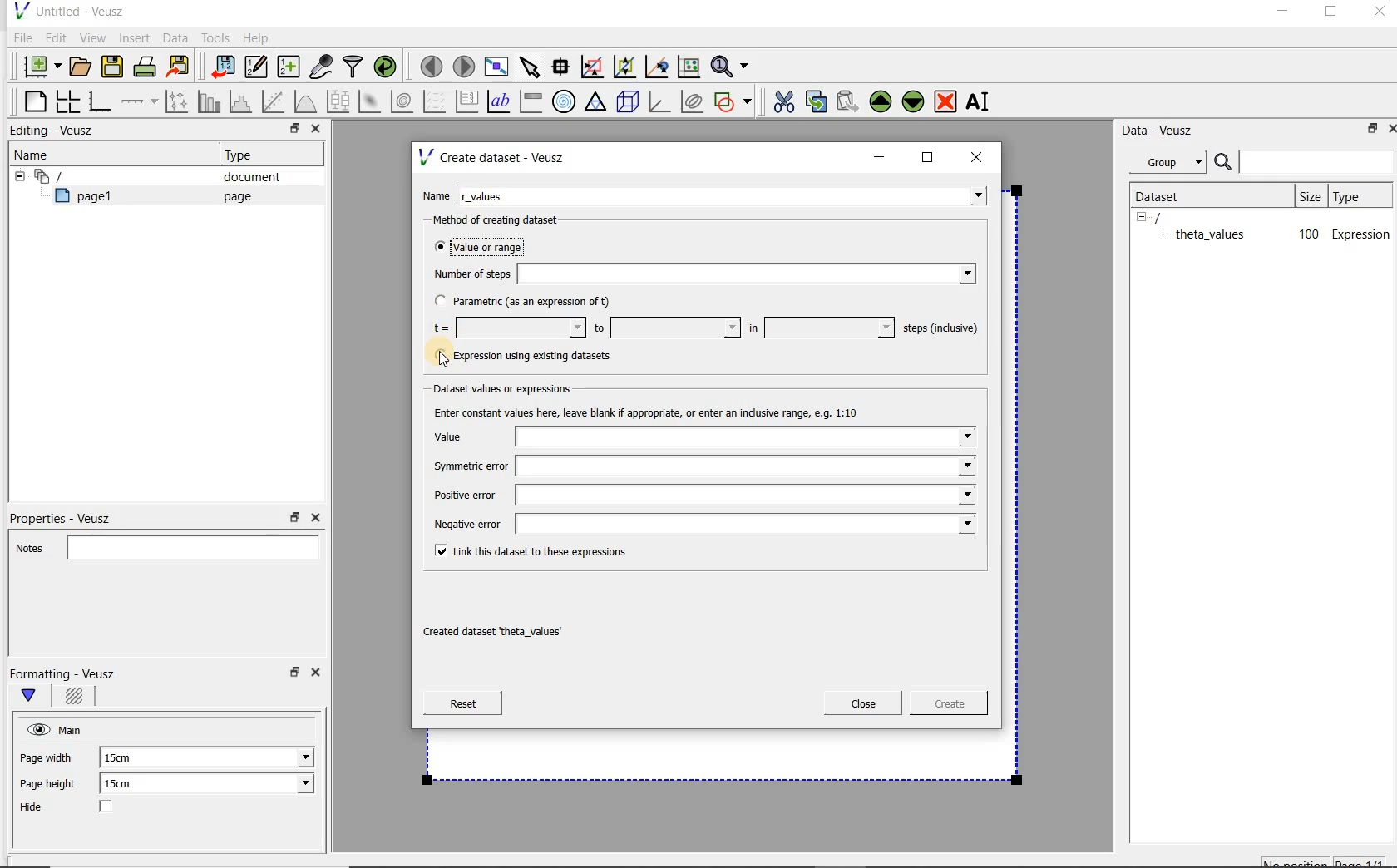  What do you see at coordinates (1166, 195) in the screenshot?
I see `Dataset` at bounding box center [1166, 195].